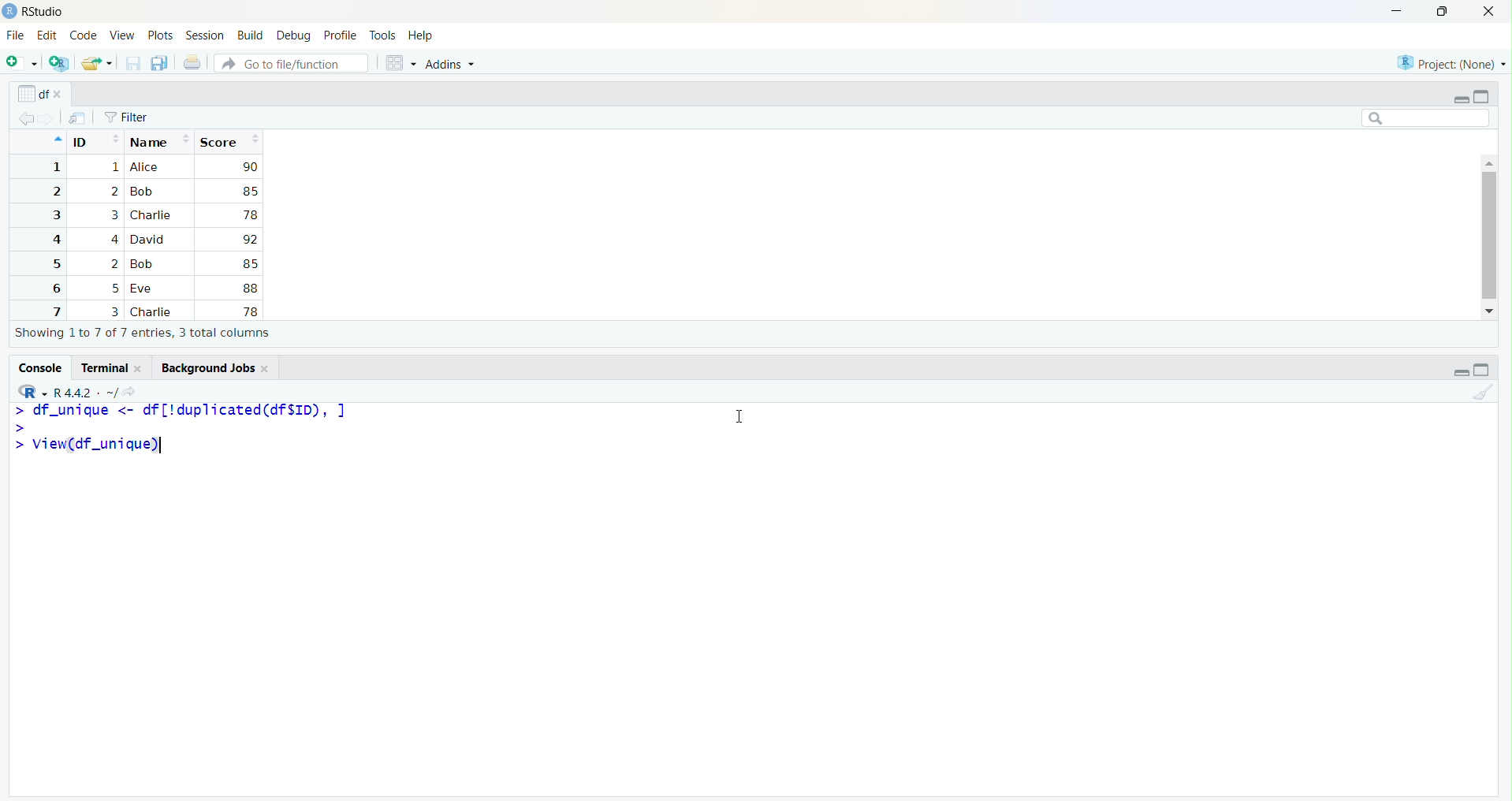  Describe the element at coordinates (204, 367) in the screenshot. I see `background jobs` at that location.